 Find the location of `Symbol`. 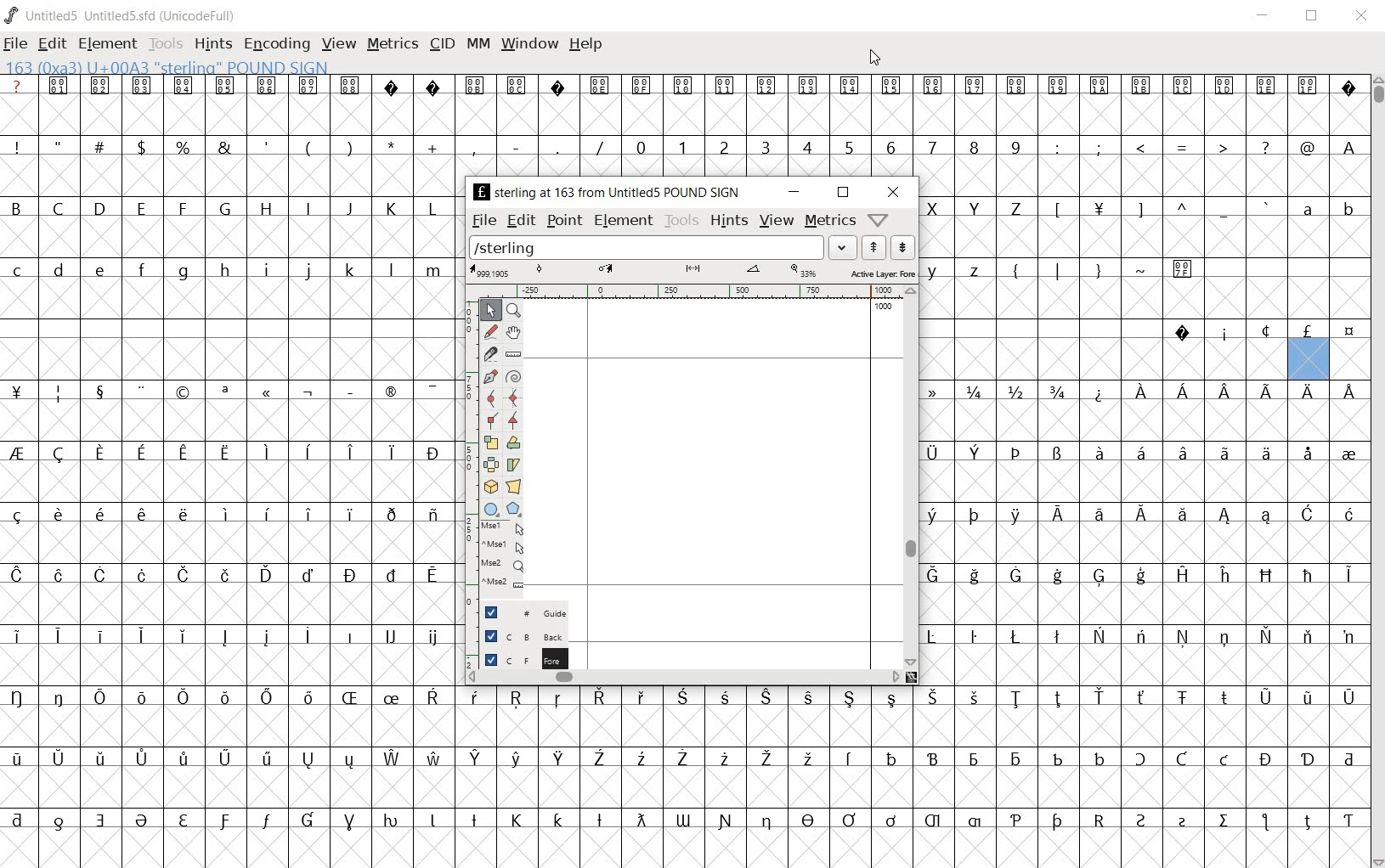

Symbol is located at coordinates (61, 85).